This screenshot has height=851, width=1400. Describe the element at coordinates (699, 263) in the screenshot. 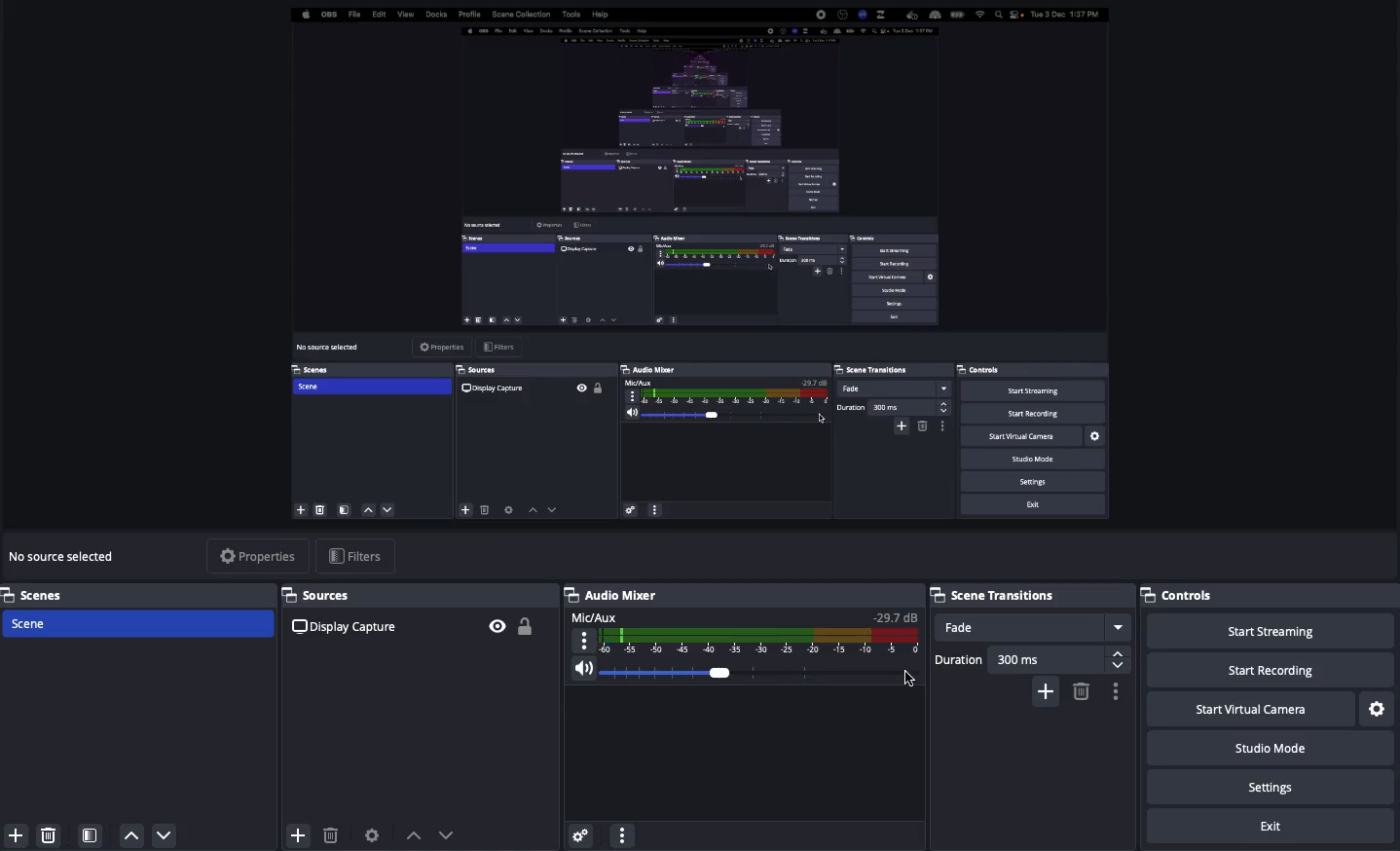

I see `Screen` at that location.